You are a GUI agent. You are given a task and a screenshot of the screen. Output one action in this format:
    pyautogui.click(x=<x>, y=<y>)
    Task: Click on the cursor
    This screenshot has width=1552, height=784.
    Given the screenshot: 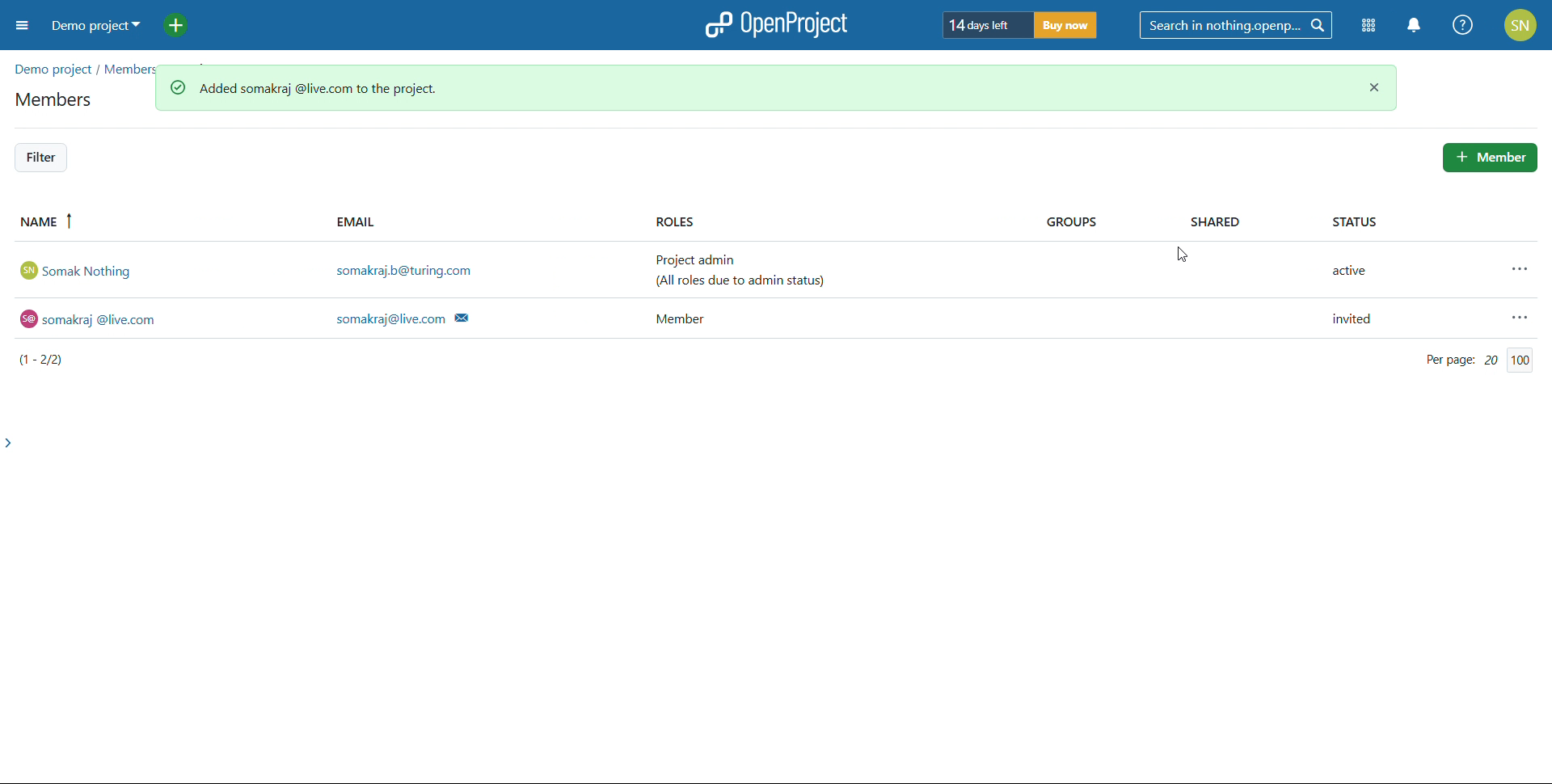 What is the action you would take?
    pyautogui.click(x=1182, y=258)
    